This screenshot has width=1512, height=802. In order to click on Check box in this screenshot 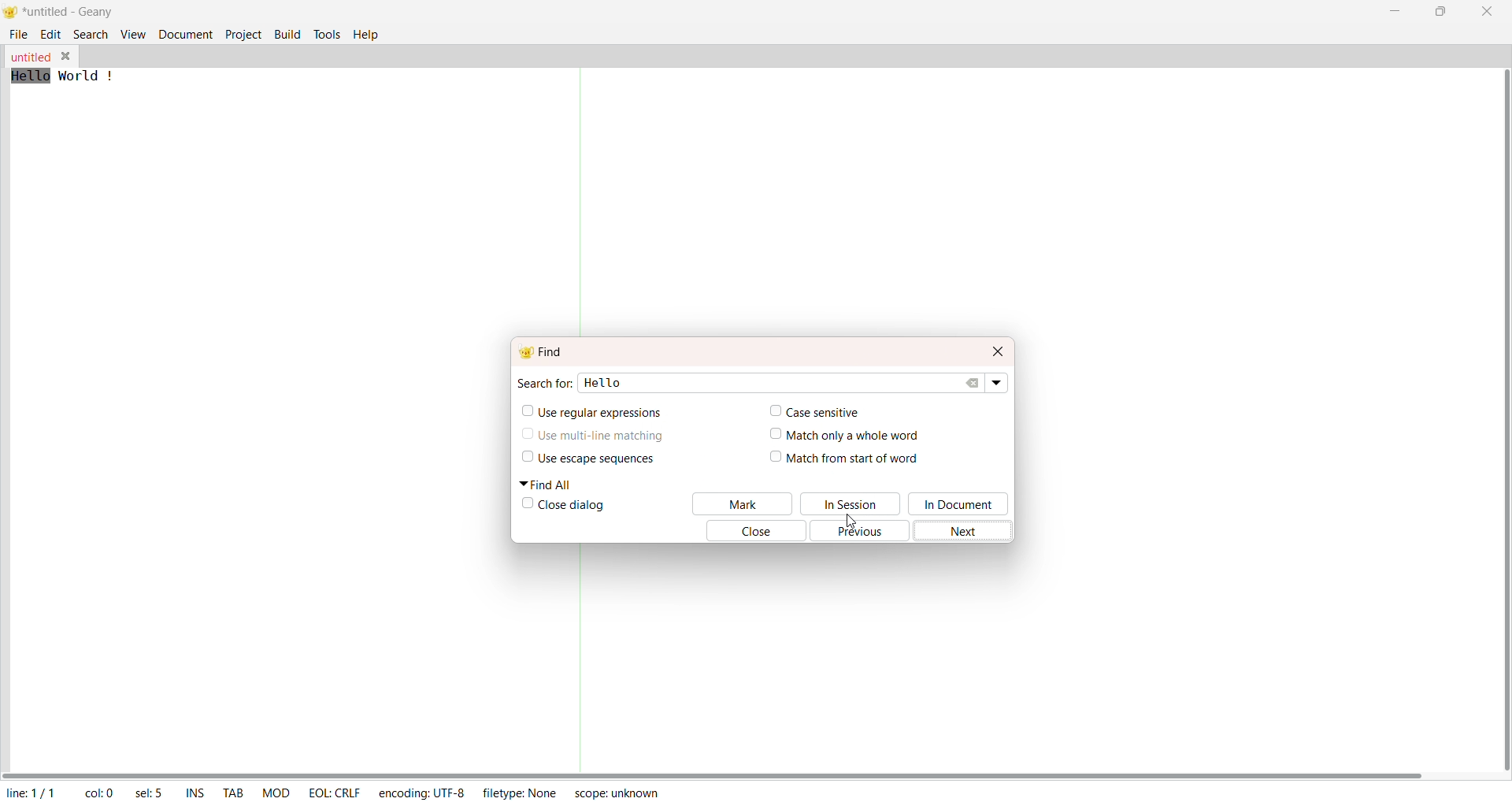, I will do `click(770, 436)`.